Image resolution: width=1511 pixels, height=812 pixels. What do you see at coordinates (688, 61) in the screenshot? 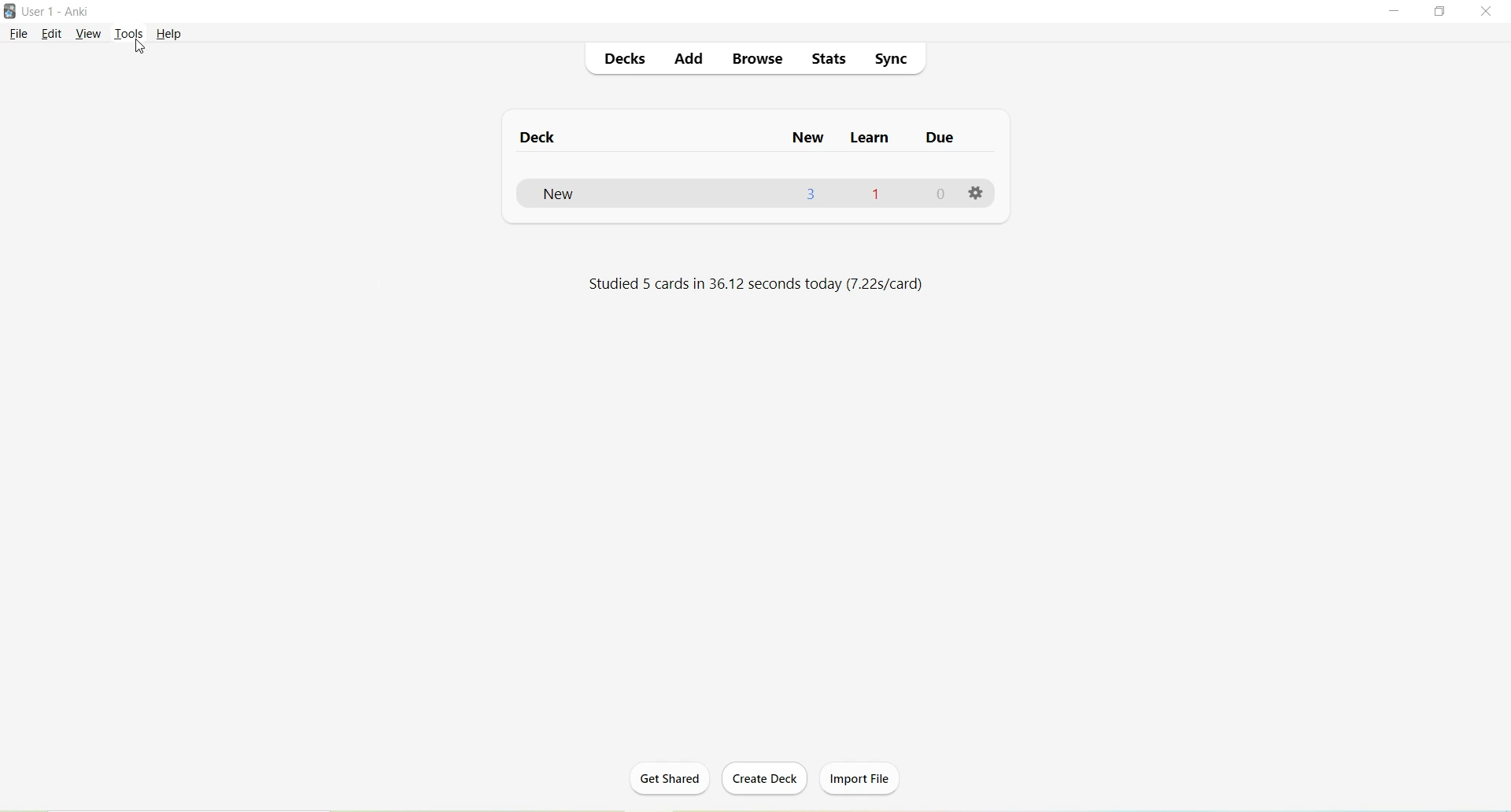
I see `Add` at bounding box center [688, 61].